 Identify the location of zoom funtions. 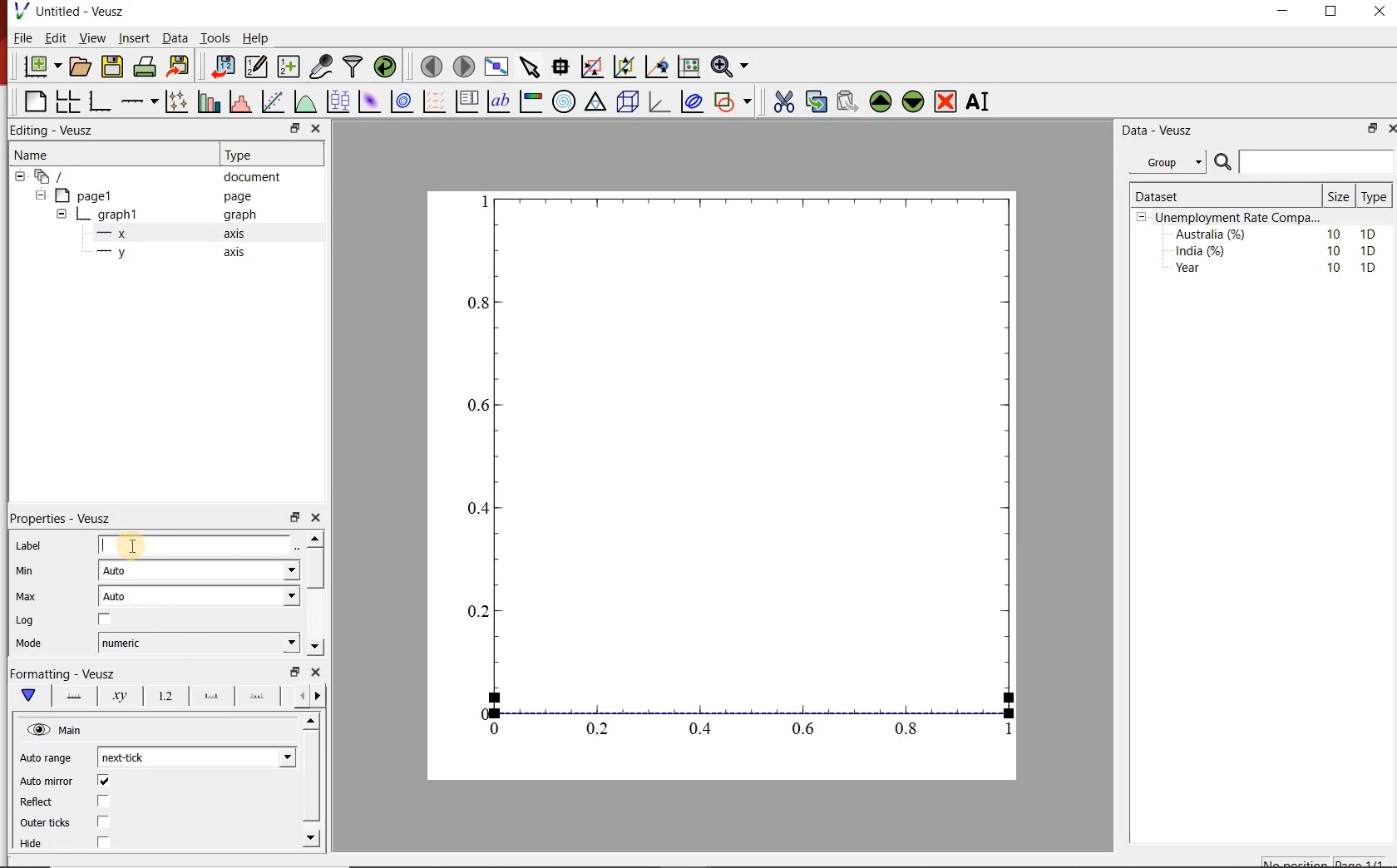
(733, 65).